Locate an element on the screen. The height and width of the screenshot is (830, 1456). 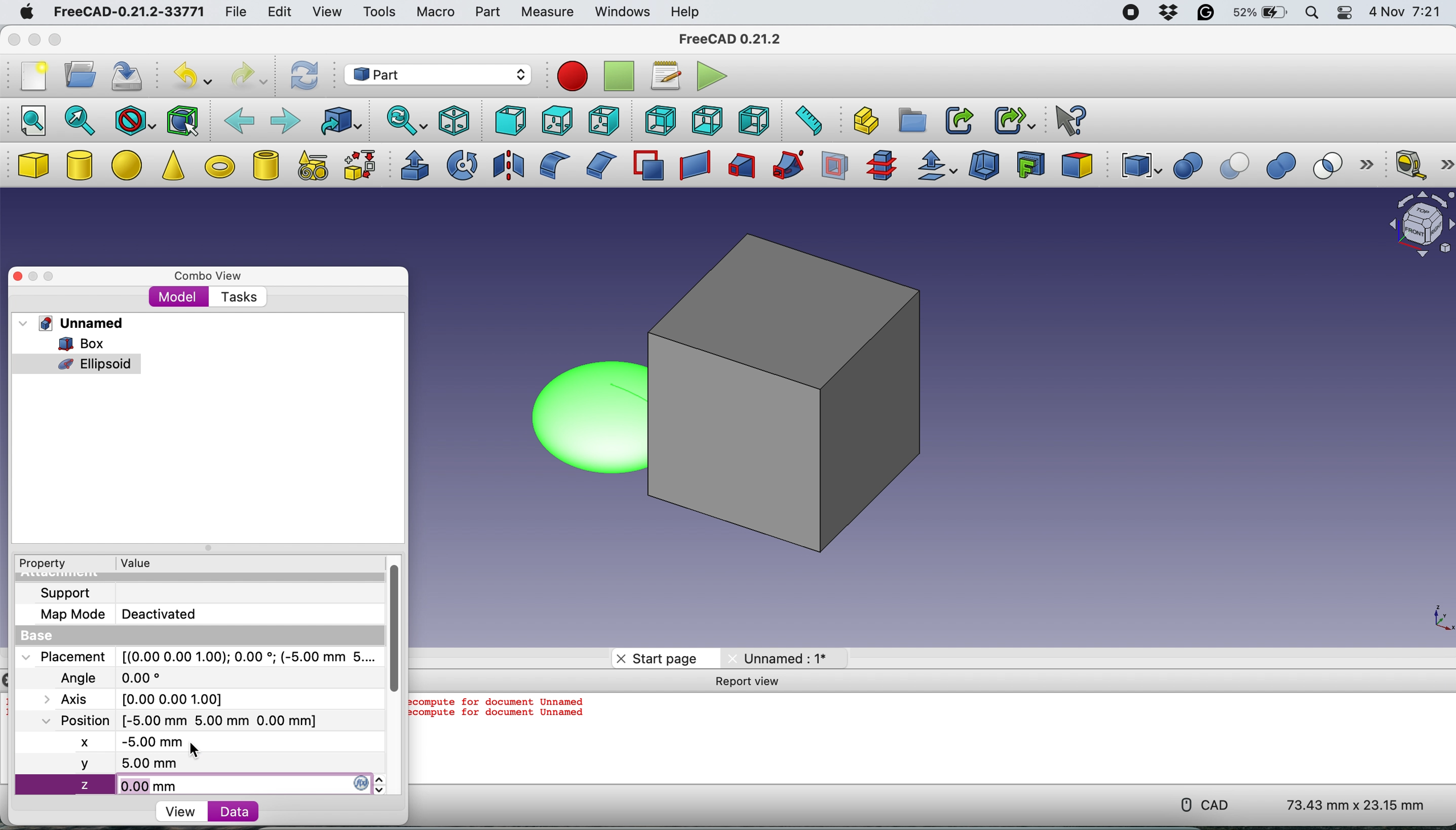
refresh is located at coordinates (304, 76).